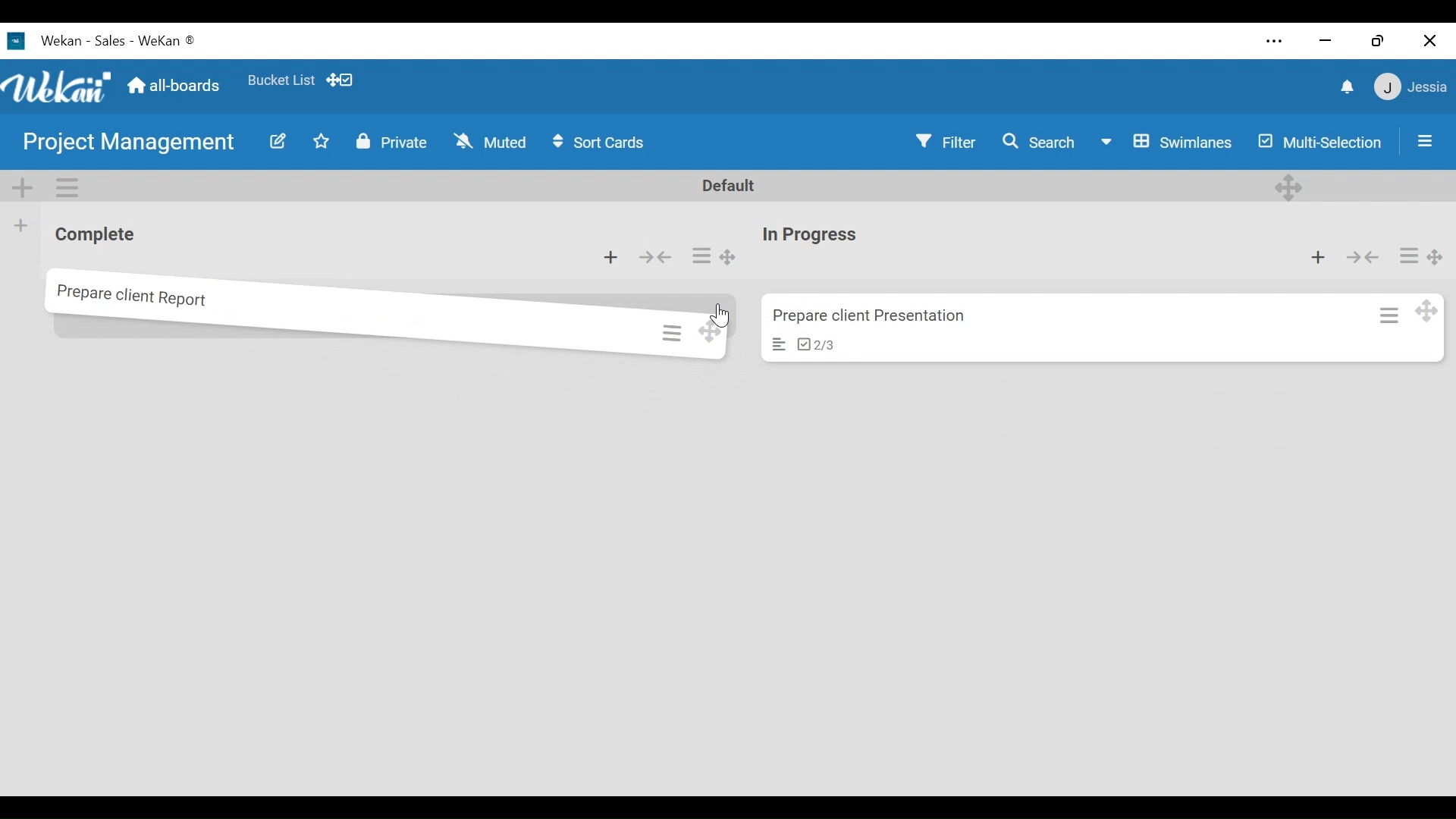 This screenshot has width=1456, height=819. Describe the element at coordinates (720, 333) in the screenshot. I see `Desktop drag handles` at that location.